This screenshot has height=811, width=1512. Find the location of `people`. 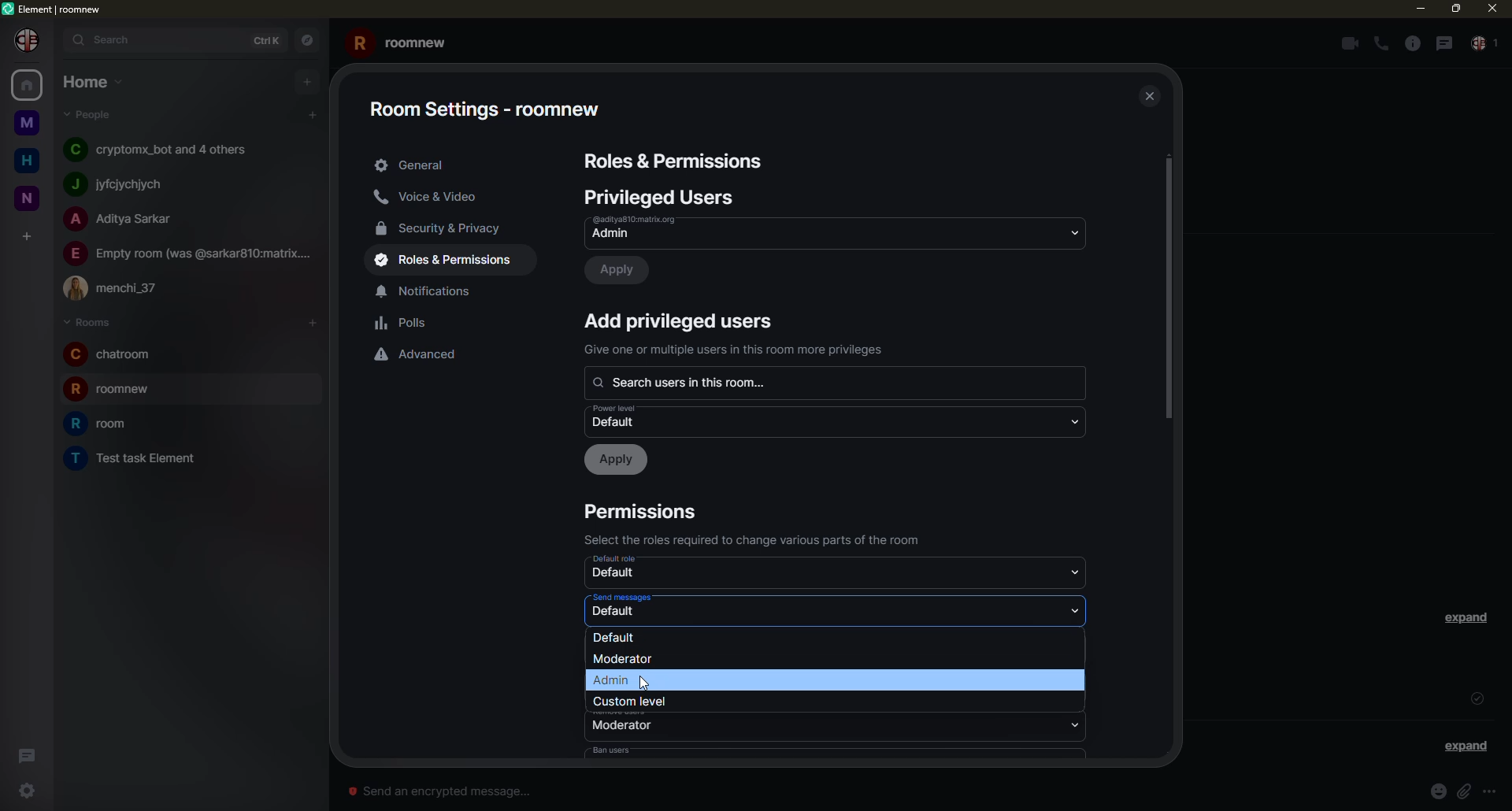

people is located at coordinates (190, 252).